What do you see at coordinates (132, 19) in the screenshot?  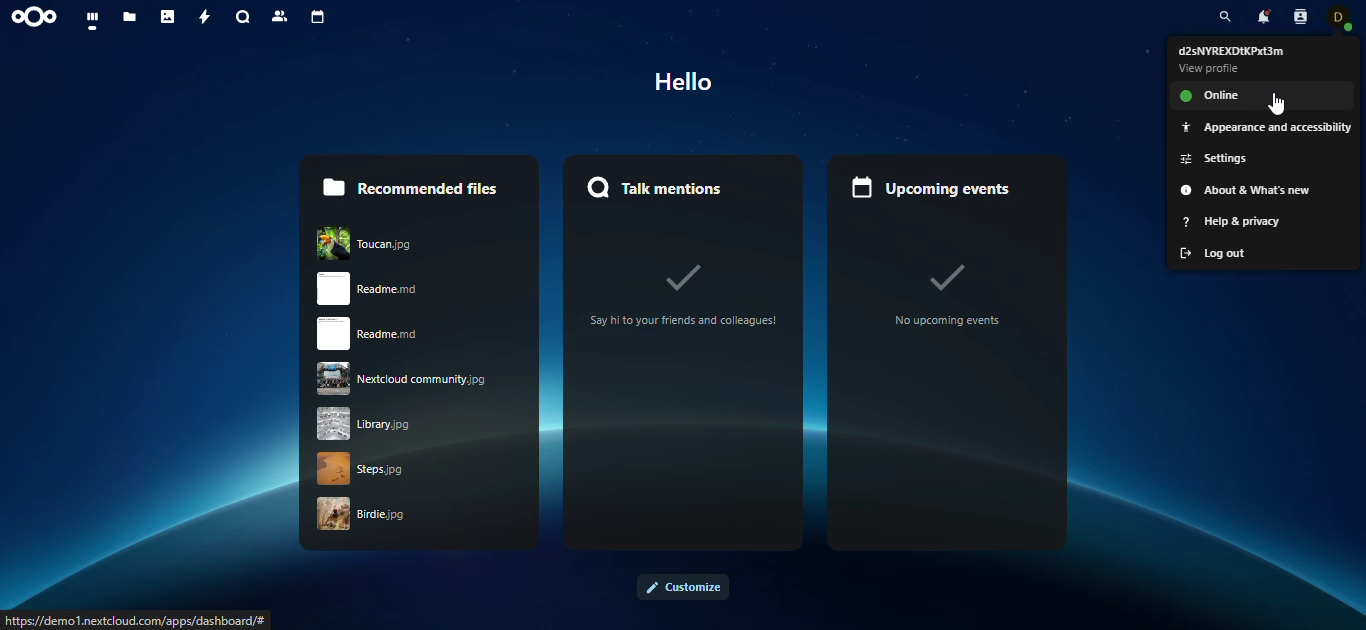 I see `files` at bounding box center [132, 19].